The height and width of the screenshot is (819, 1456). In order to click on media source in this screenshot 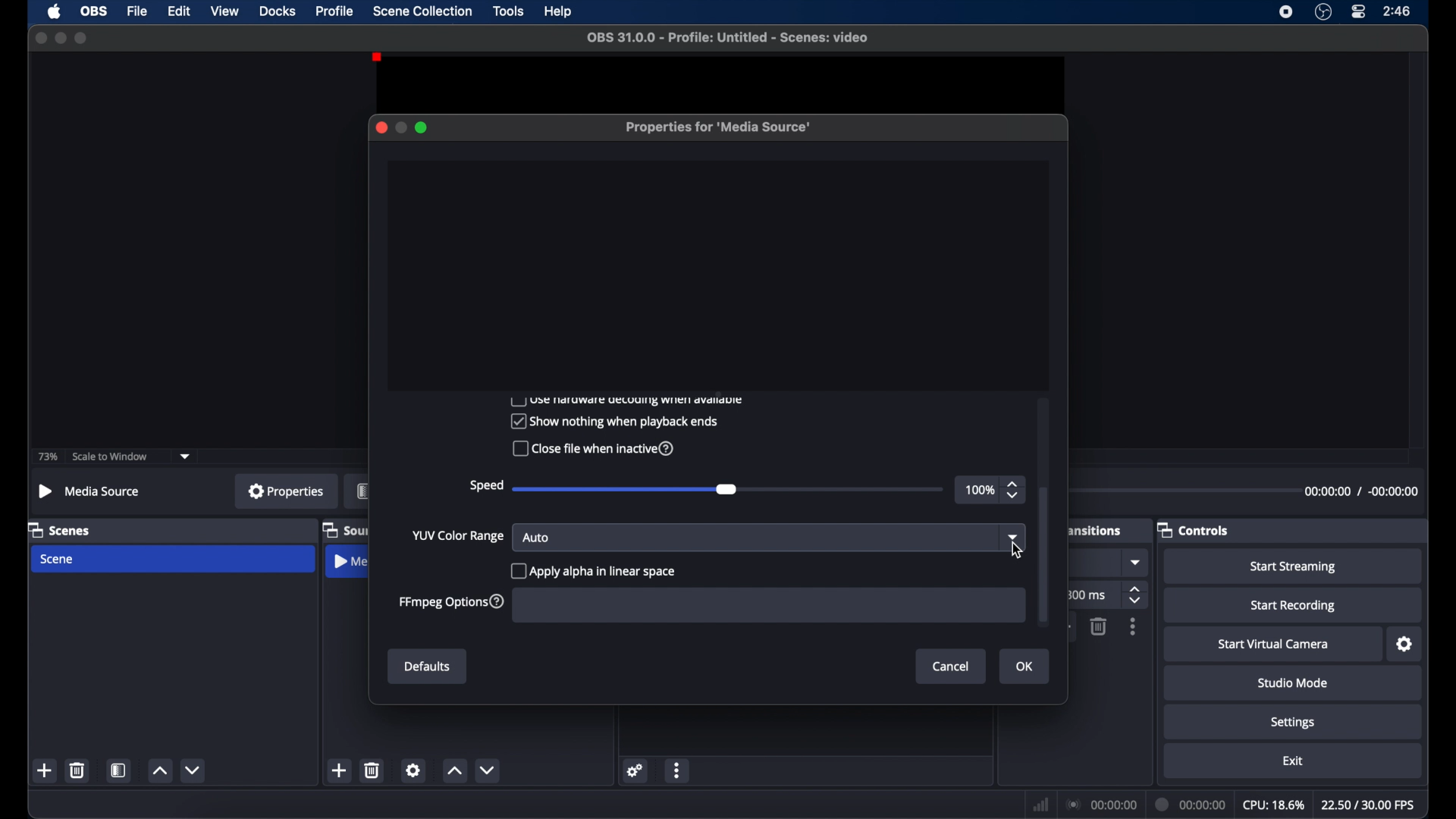, I will do `click(350, 563)`.